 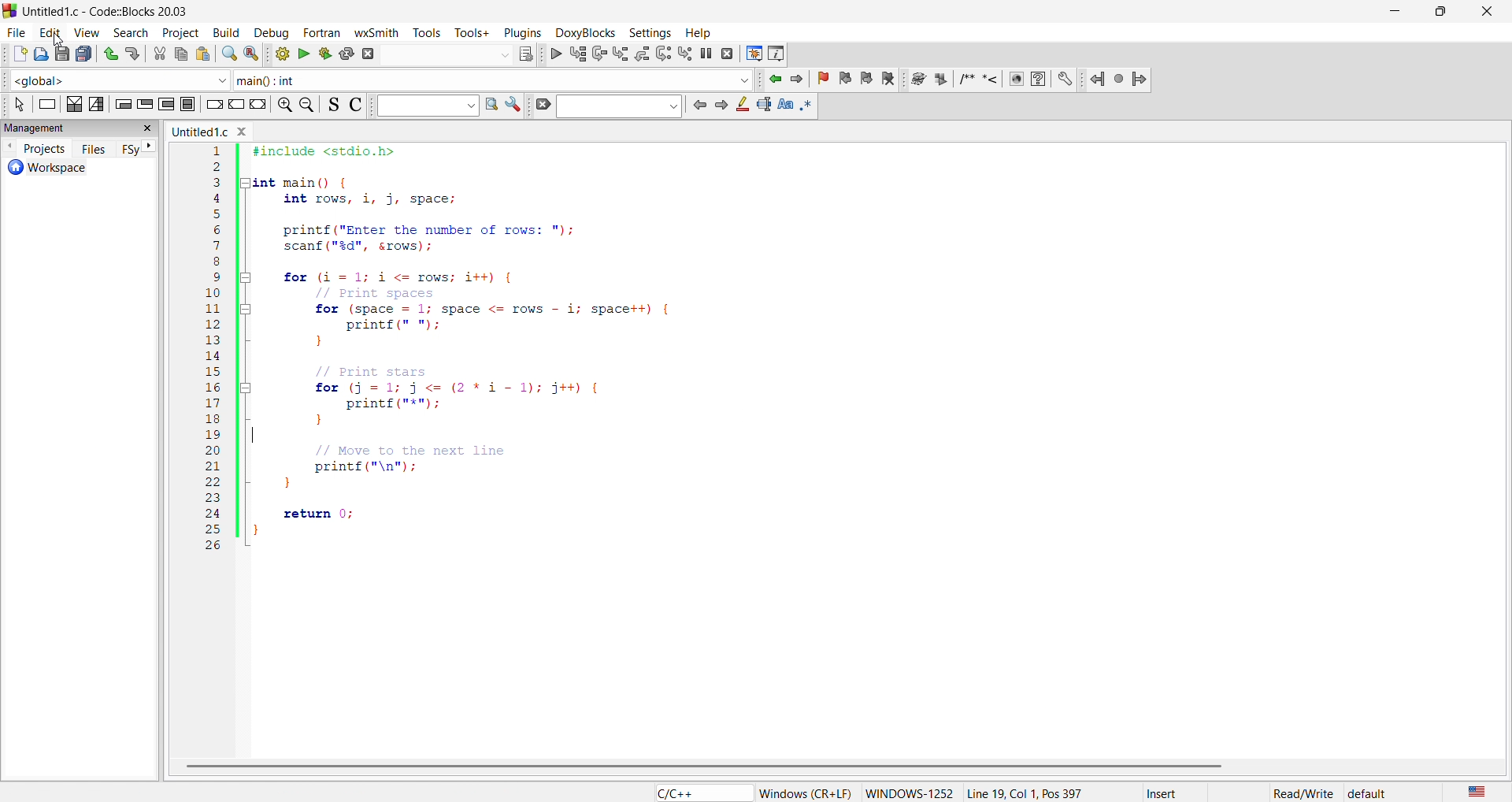 What do you see at coordinates (520, 31) in the screenshot?
I see `pllugins` at bounding box center [520, 31].